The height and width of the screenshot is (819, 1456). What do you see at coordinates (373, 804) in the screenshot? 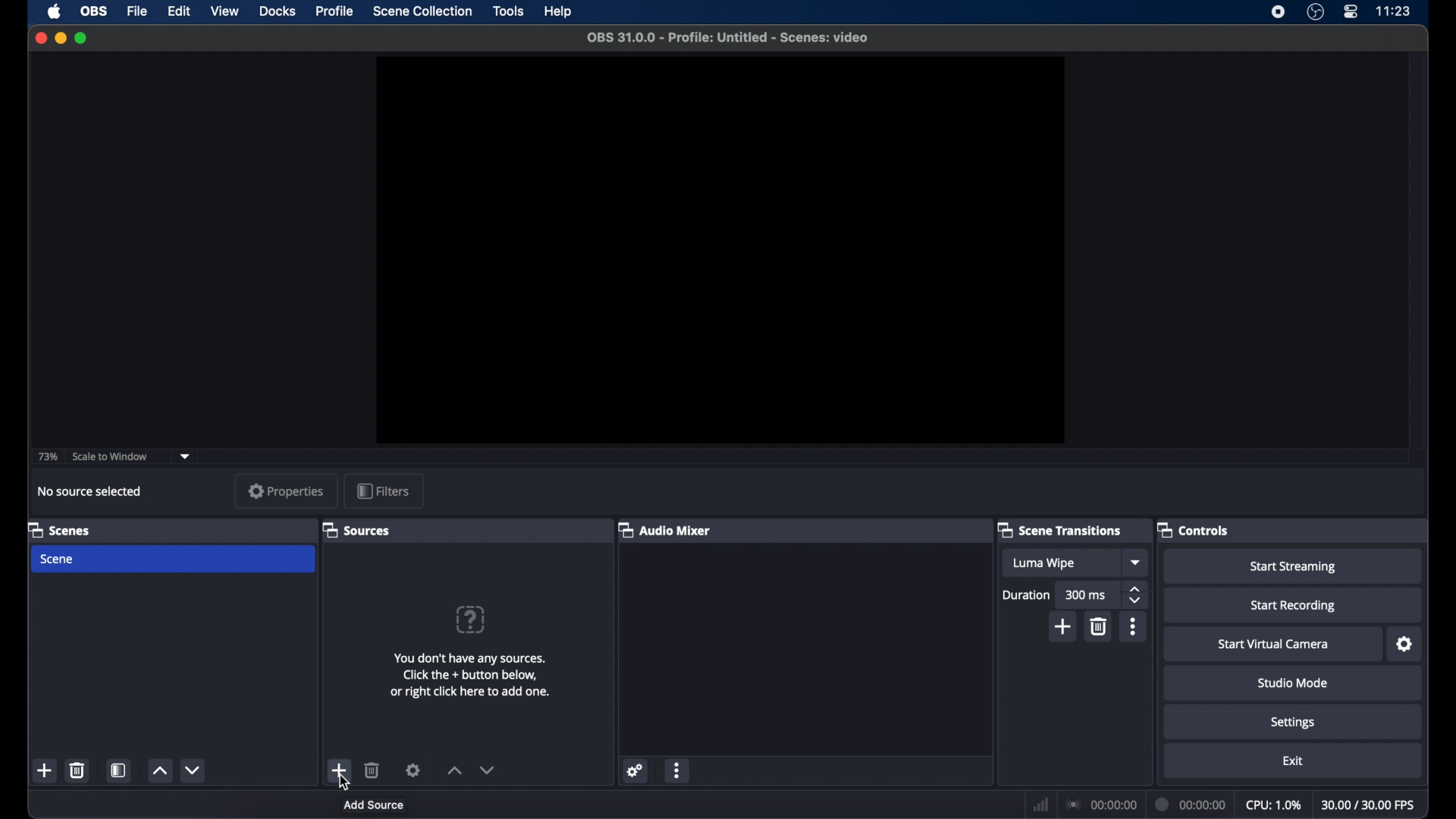
I see `add source` at bounding box center [373, 804].